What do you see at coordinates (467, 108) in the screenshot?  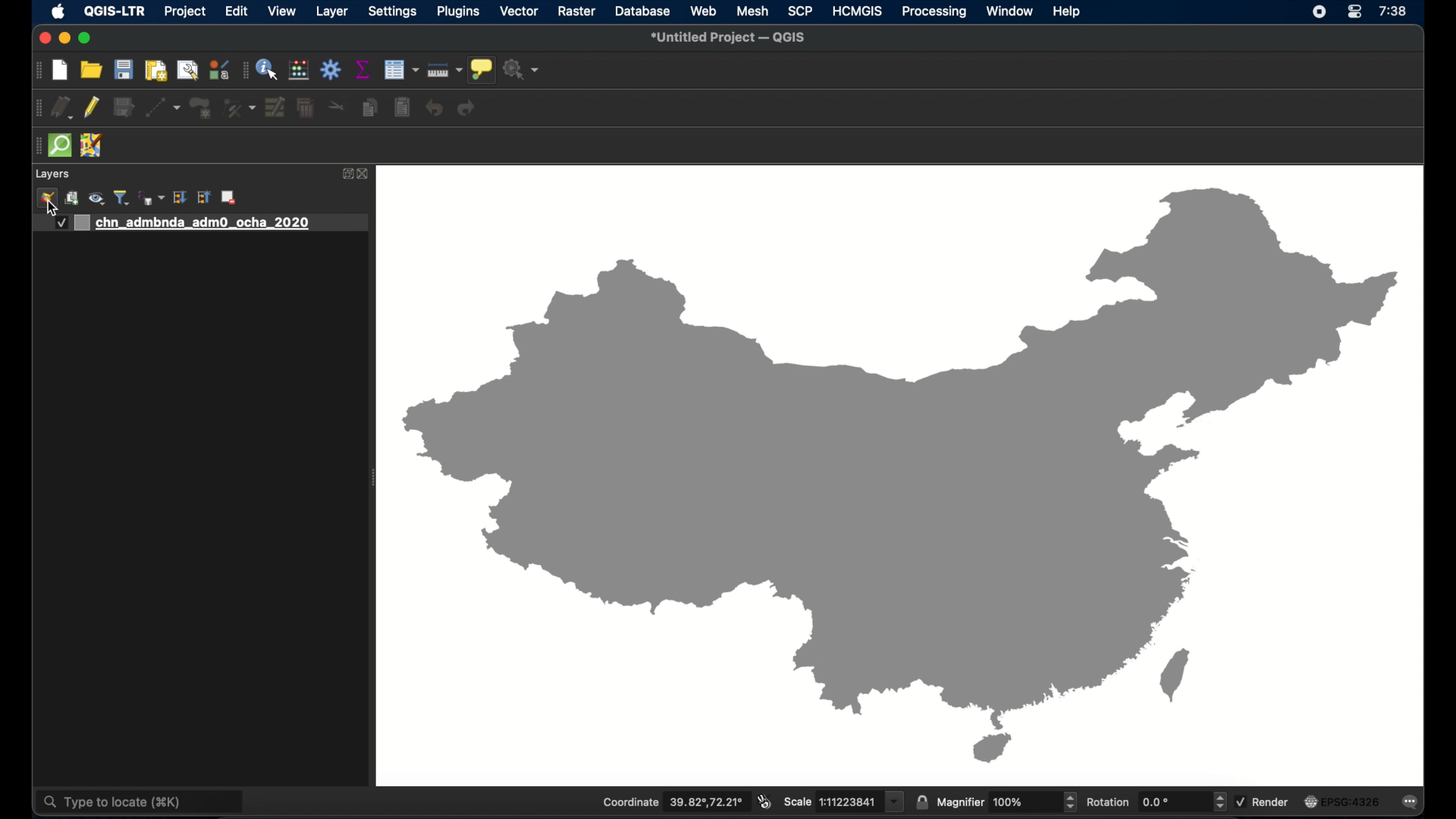 I see `redo` at bounding box center [467, 108].